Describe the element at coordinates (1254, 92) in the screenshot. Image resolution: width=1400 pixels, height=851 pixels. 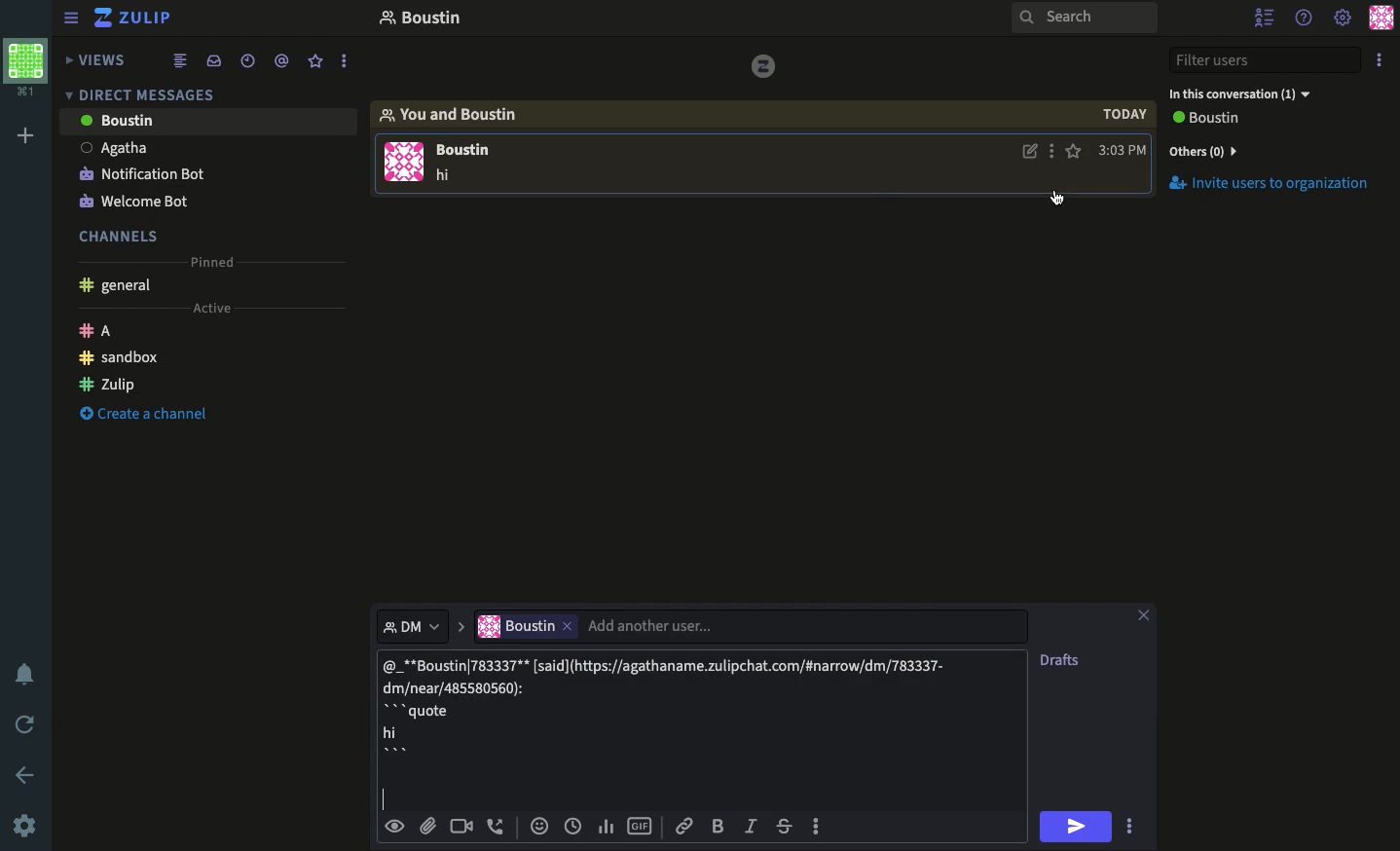
I see `In this conversation` at that location.